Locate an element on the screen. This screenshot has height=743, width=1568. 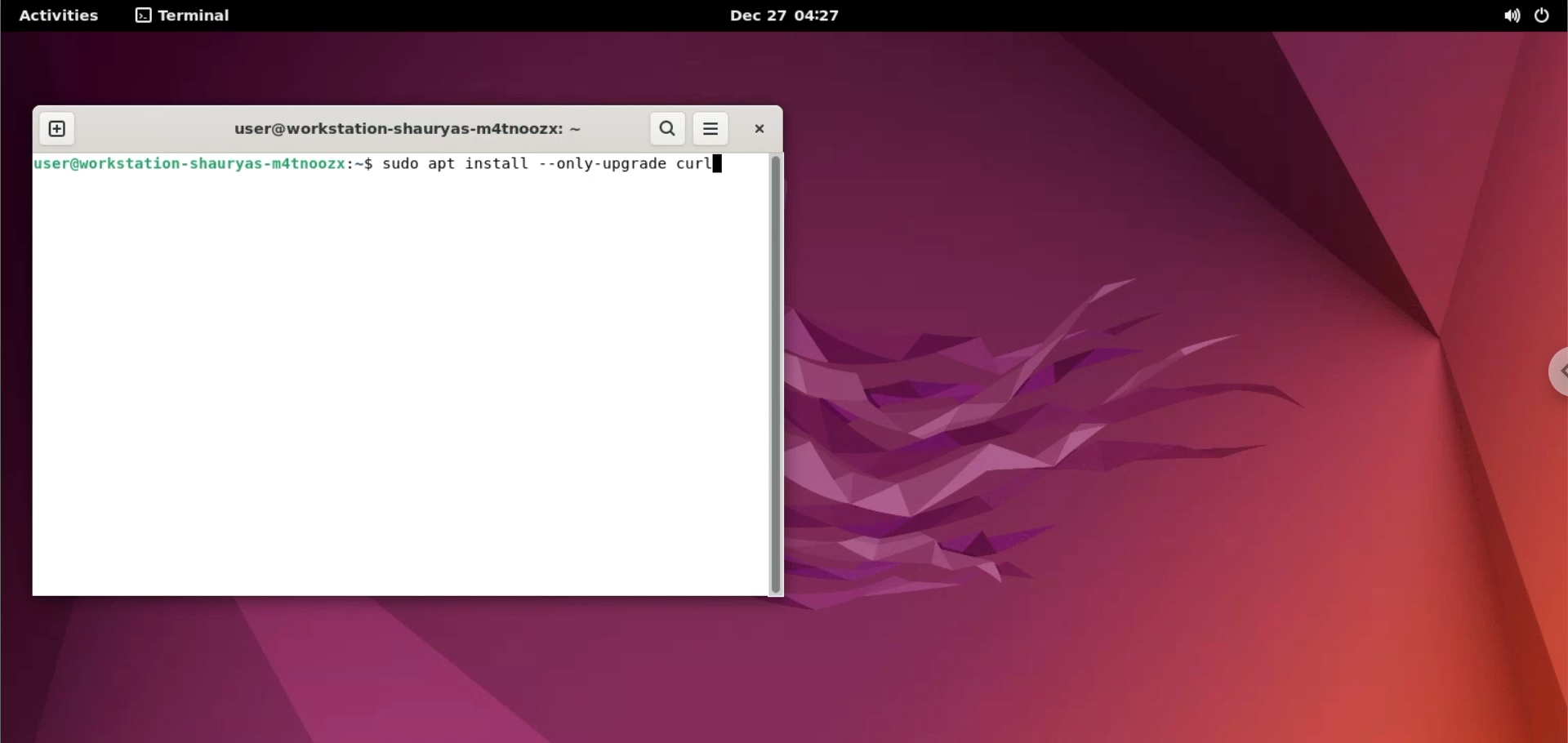
scrollbar is located at coordinates (776, 374).